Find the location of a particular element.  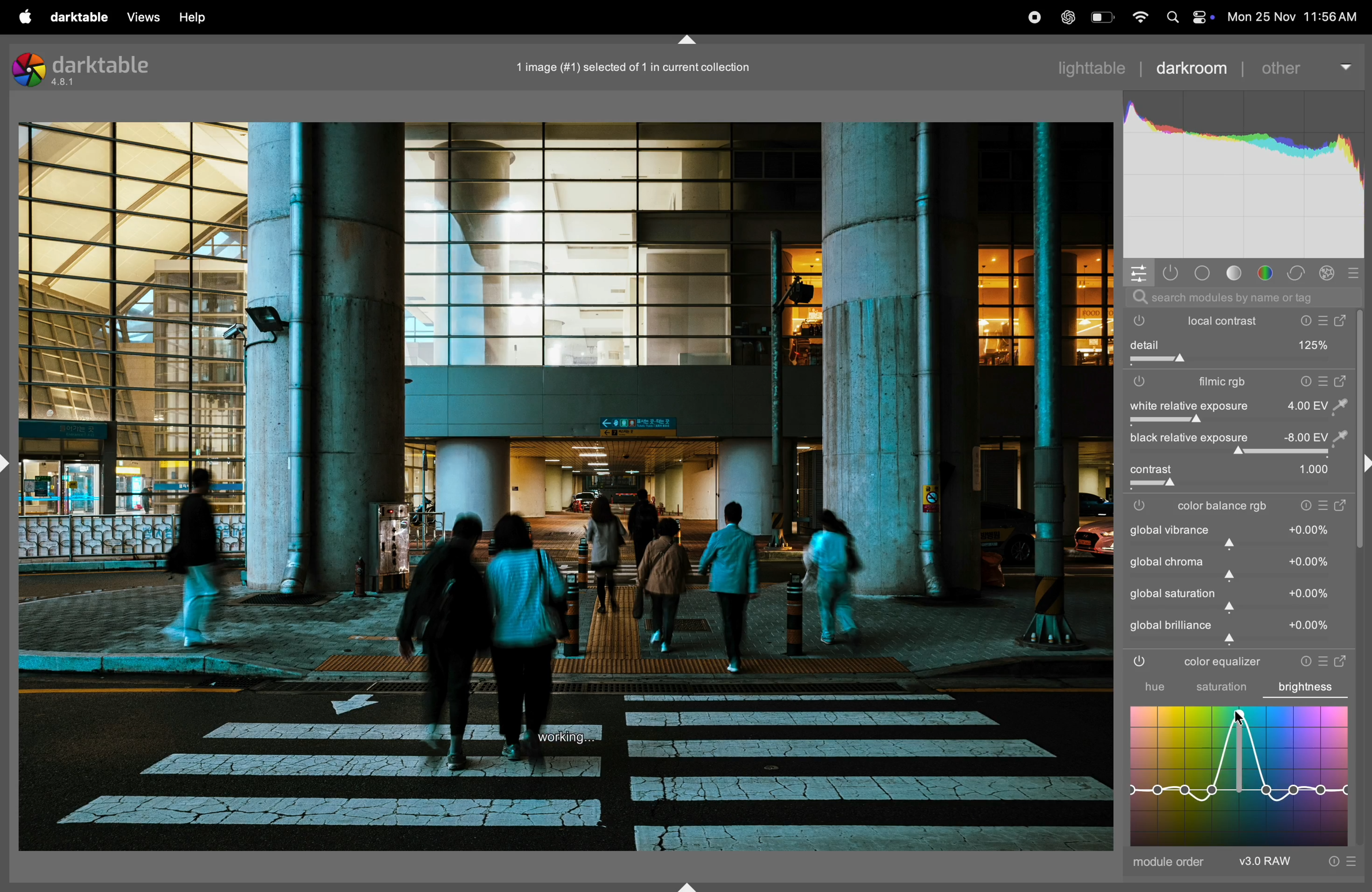

image title is located at coordinates (650, 67).